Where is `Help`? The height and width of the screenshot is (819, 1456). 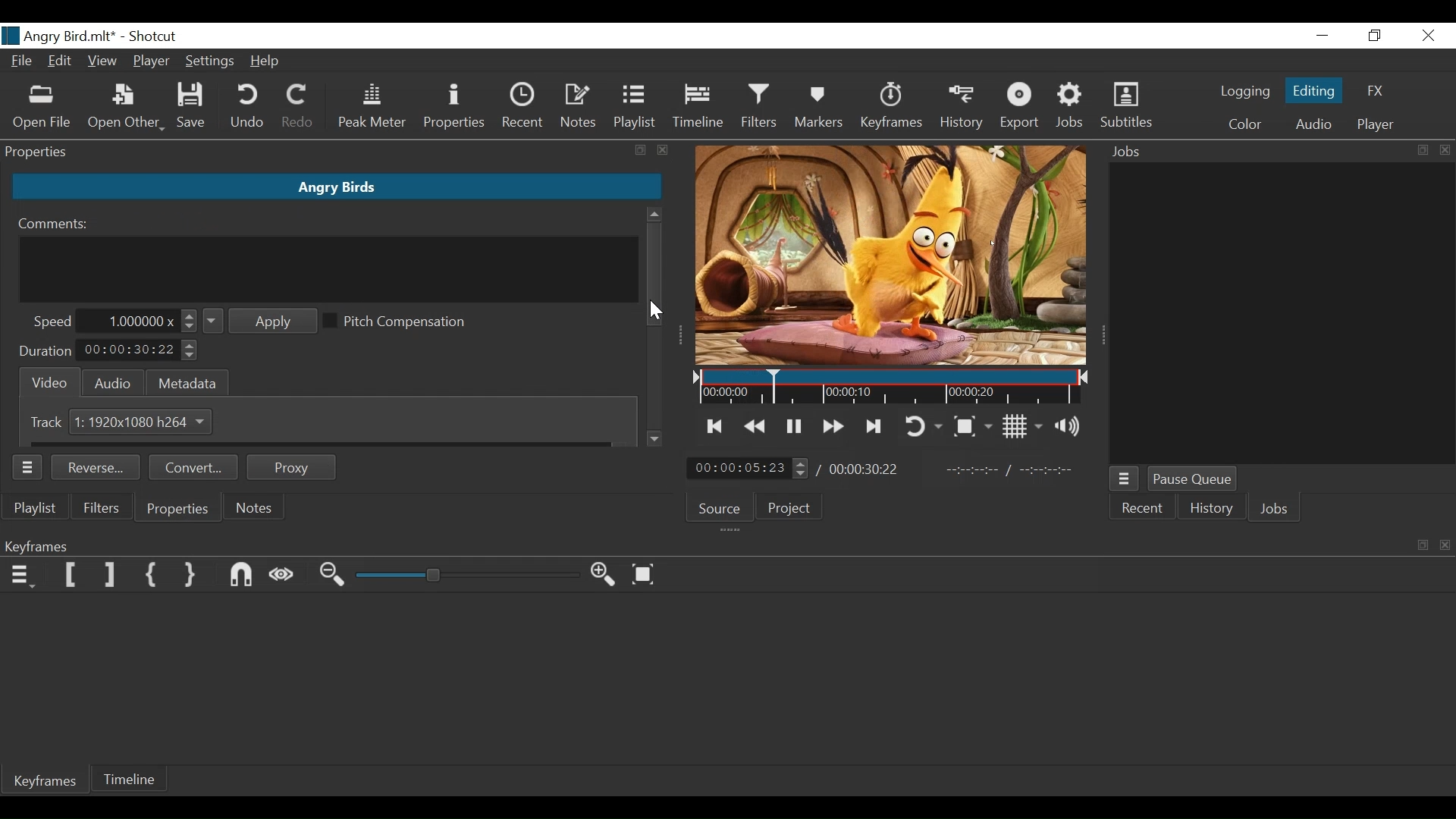
Help is located at coordinates (266, 61).